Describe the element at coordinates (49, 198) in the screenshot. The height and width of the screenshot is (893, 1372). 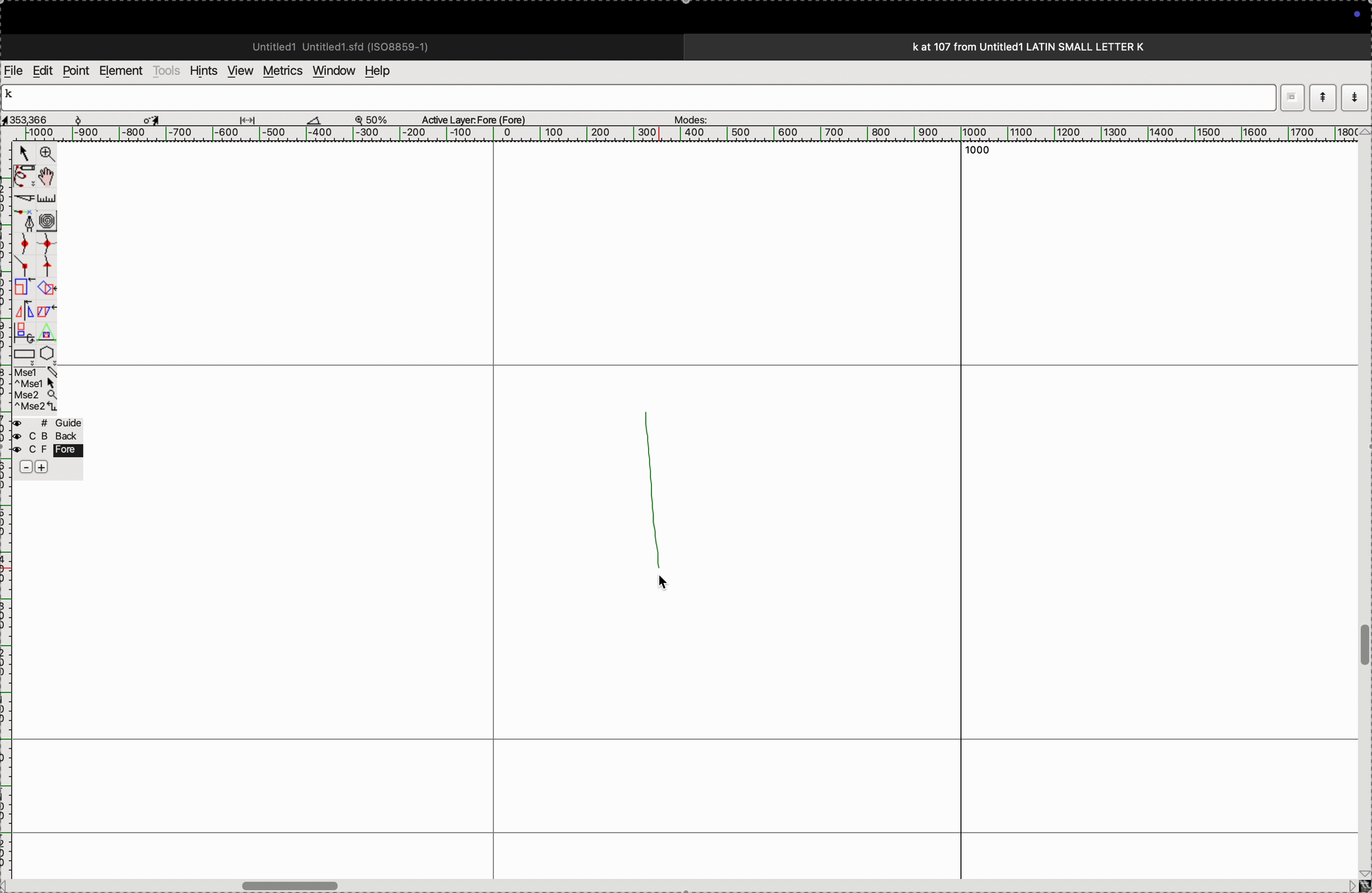
I see `scale` at that location.